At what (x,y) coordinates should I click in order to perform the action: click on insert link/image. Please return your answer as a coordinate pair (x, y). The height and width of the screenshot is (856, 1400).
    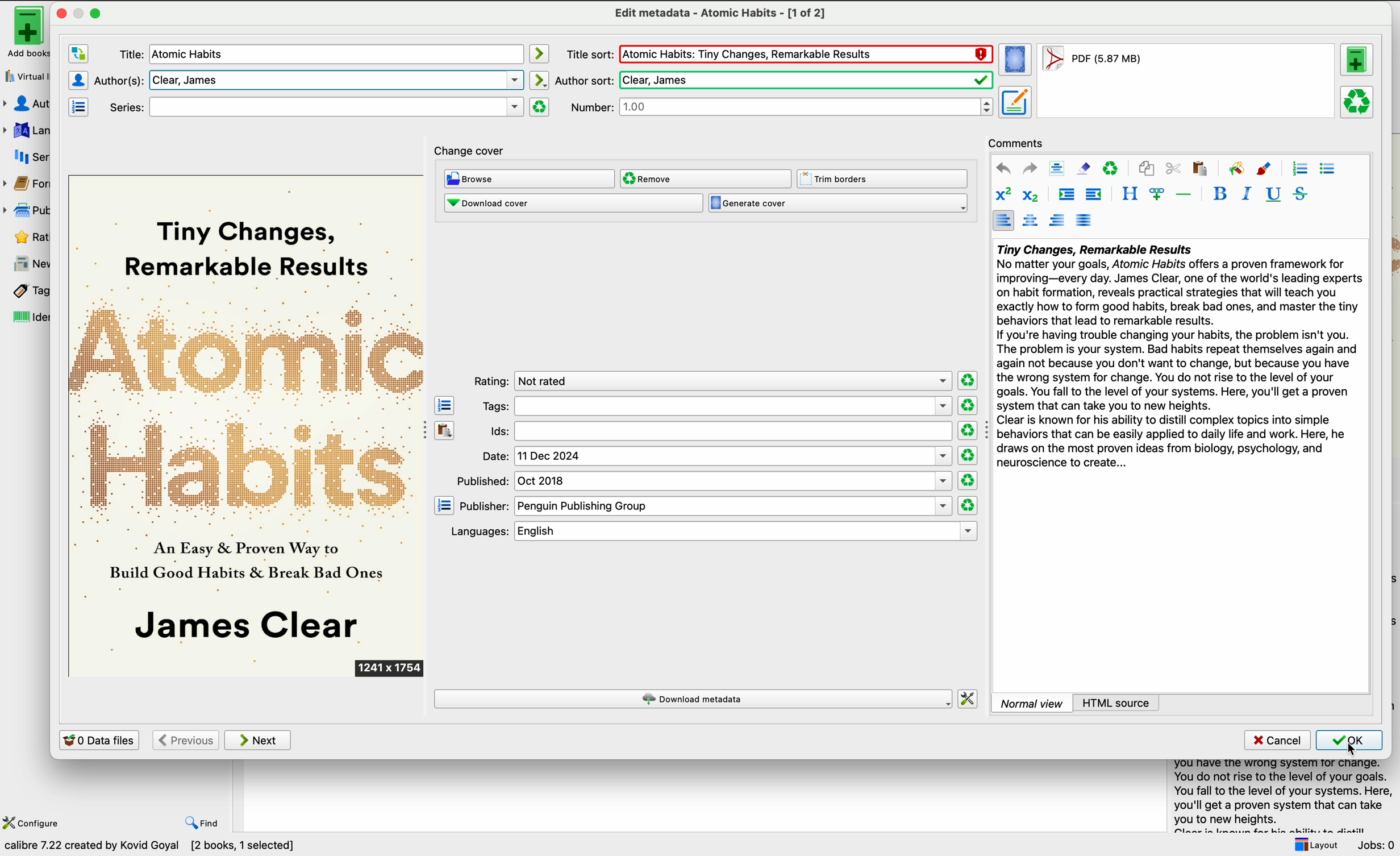
    Looking at the image, I should click on (1156, 195).